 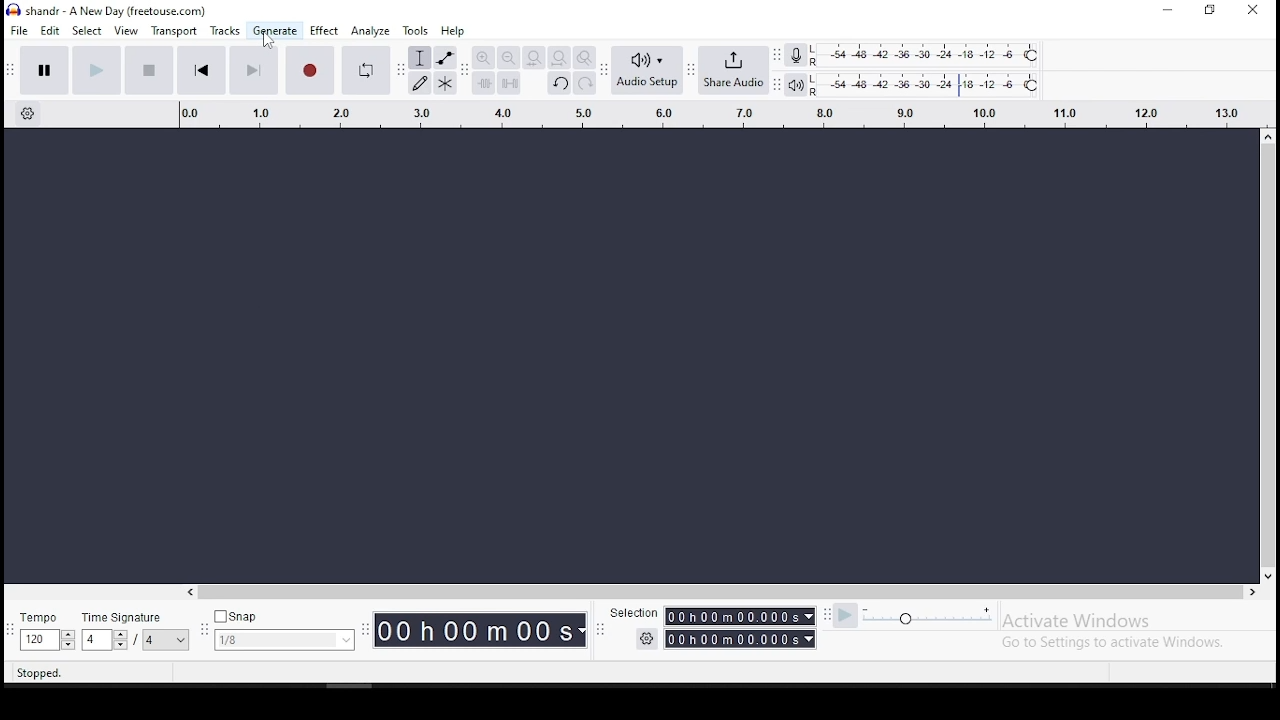 What do you see at coordinates (308, 70) in the screenshot?
I see `record` at bounding box center [308, 70].